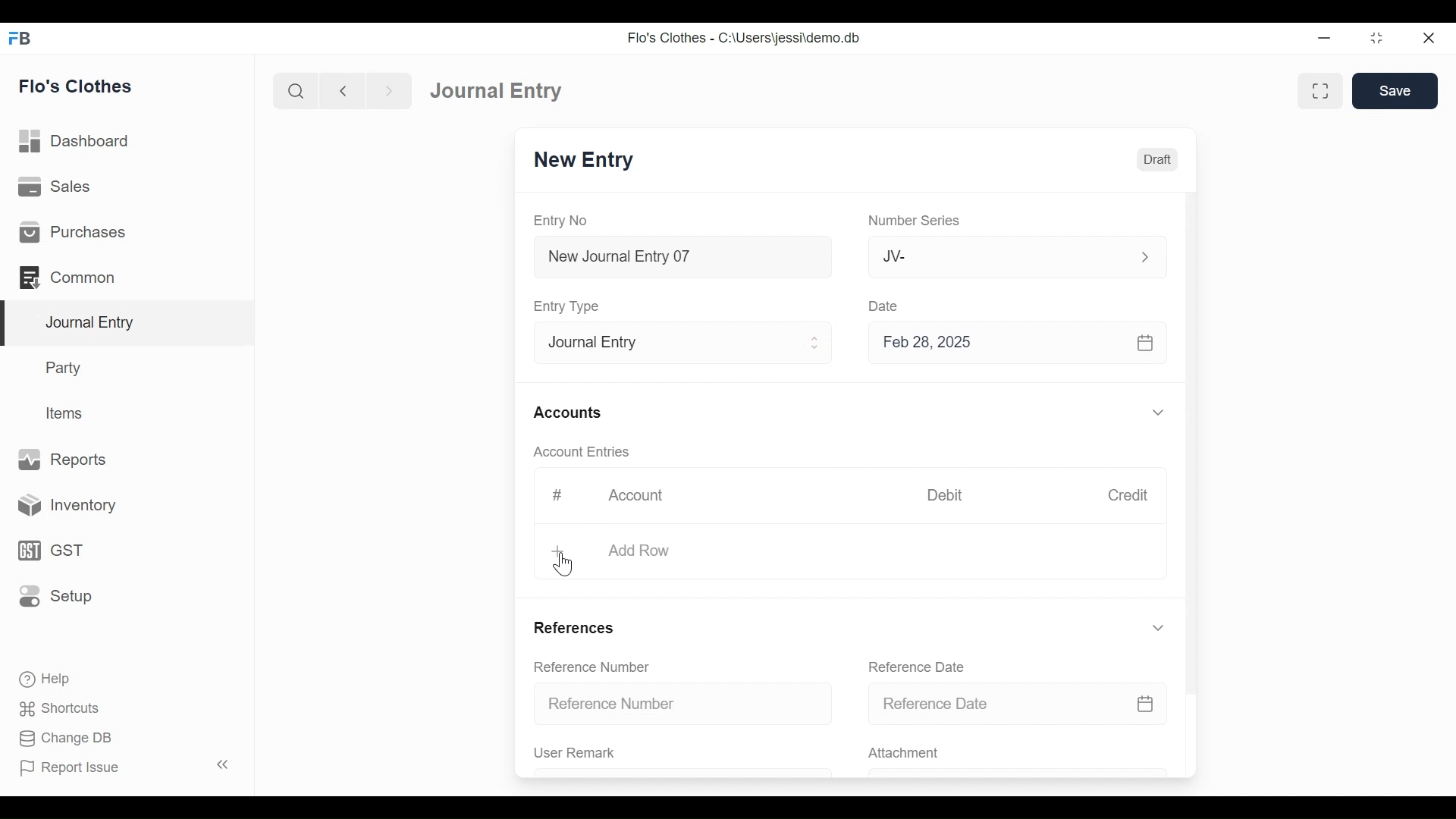 This screenshot has width=1456, height=819. What do you see at coordinates (575, 752) in the screenshot?
I see `User Remark` at bounding box center [575, 752].